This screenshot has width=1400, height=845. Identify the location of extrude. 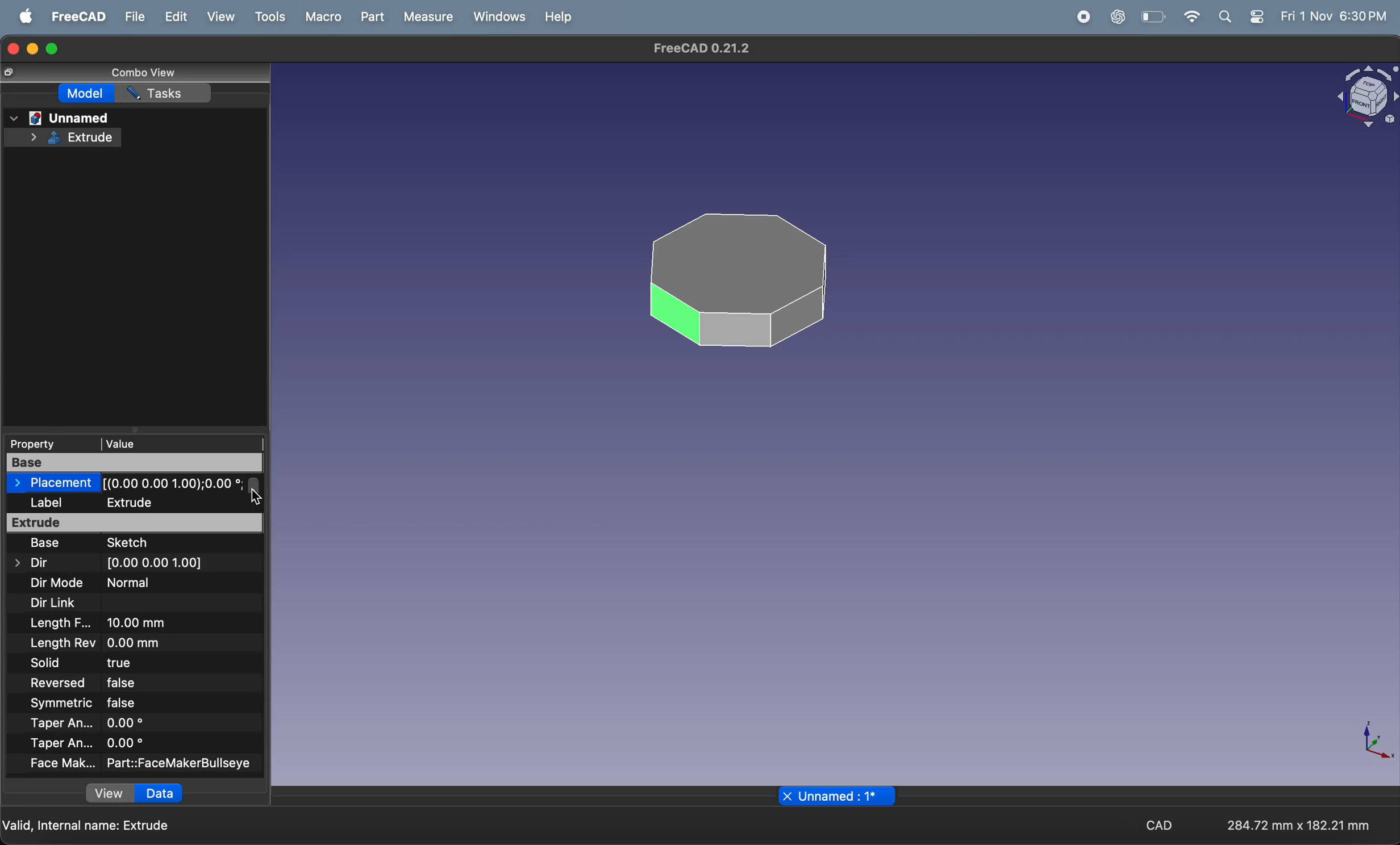
(168, 503).